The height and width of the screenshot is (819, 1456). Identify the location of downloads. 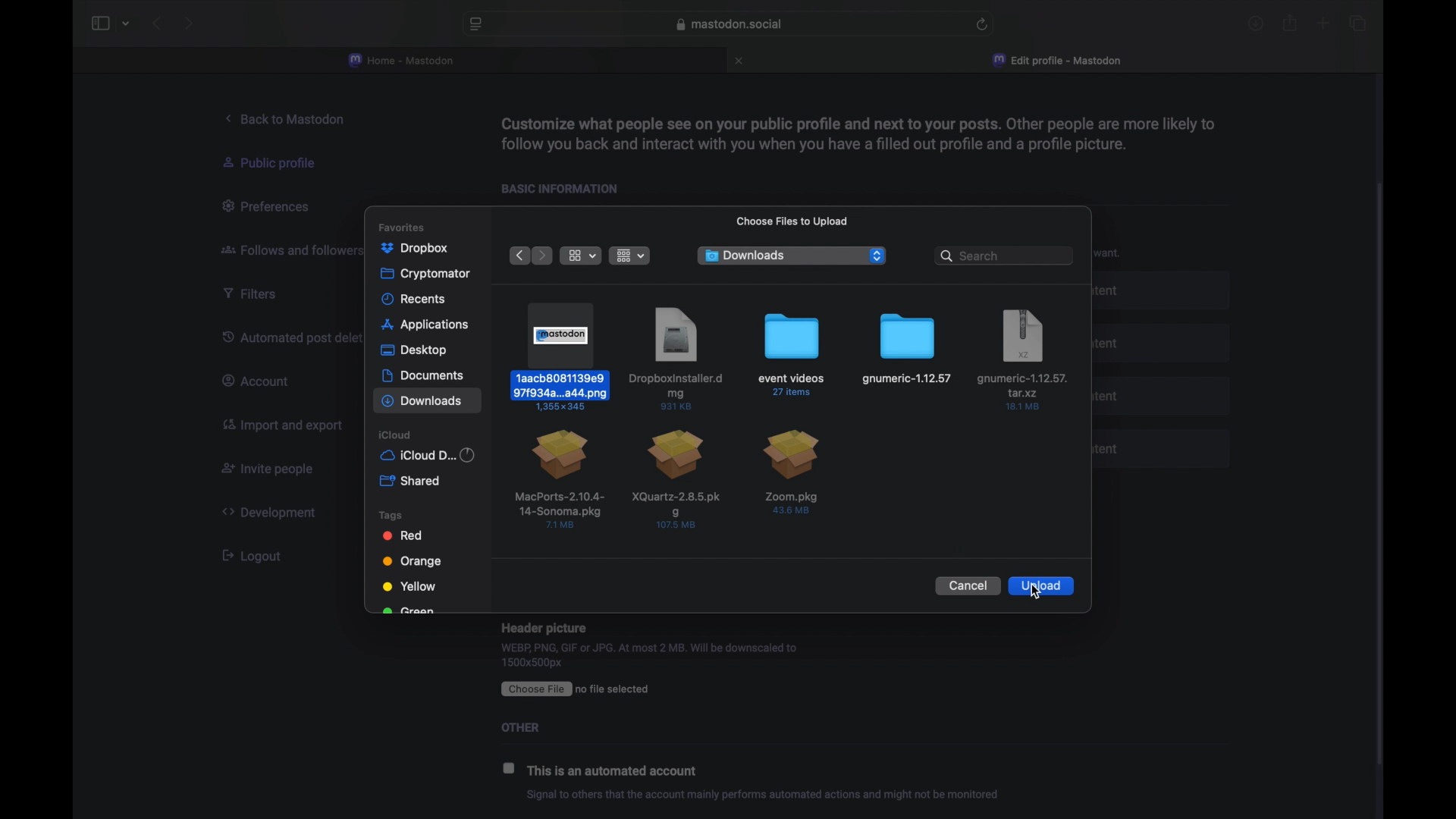
(1256, 24).